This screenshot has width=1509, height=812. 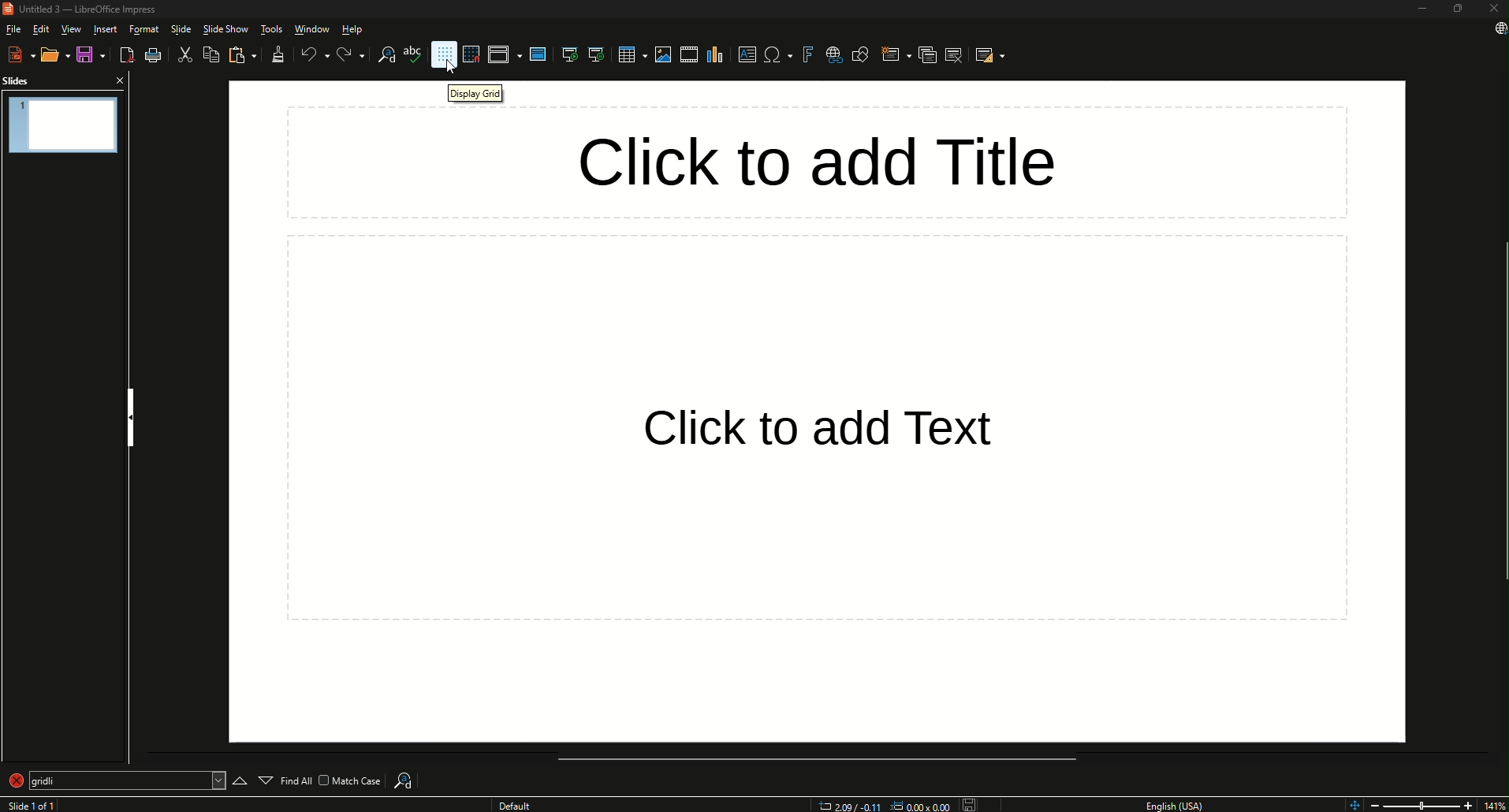 What do you see at coordinates (1421, 9) in the screenshot?
I see `Minimise` at bounding box center [1421, 9].